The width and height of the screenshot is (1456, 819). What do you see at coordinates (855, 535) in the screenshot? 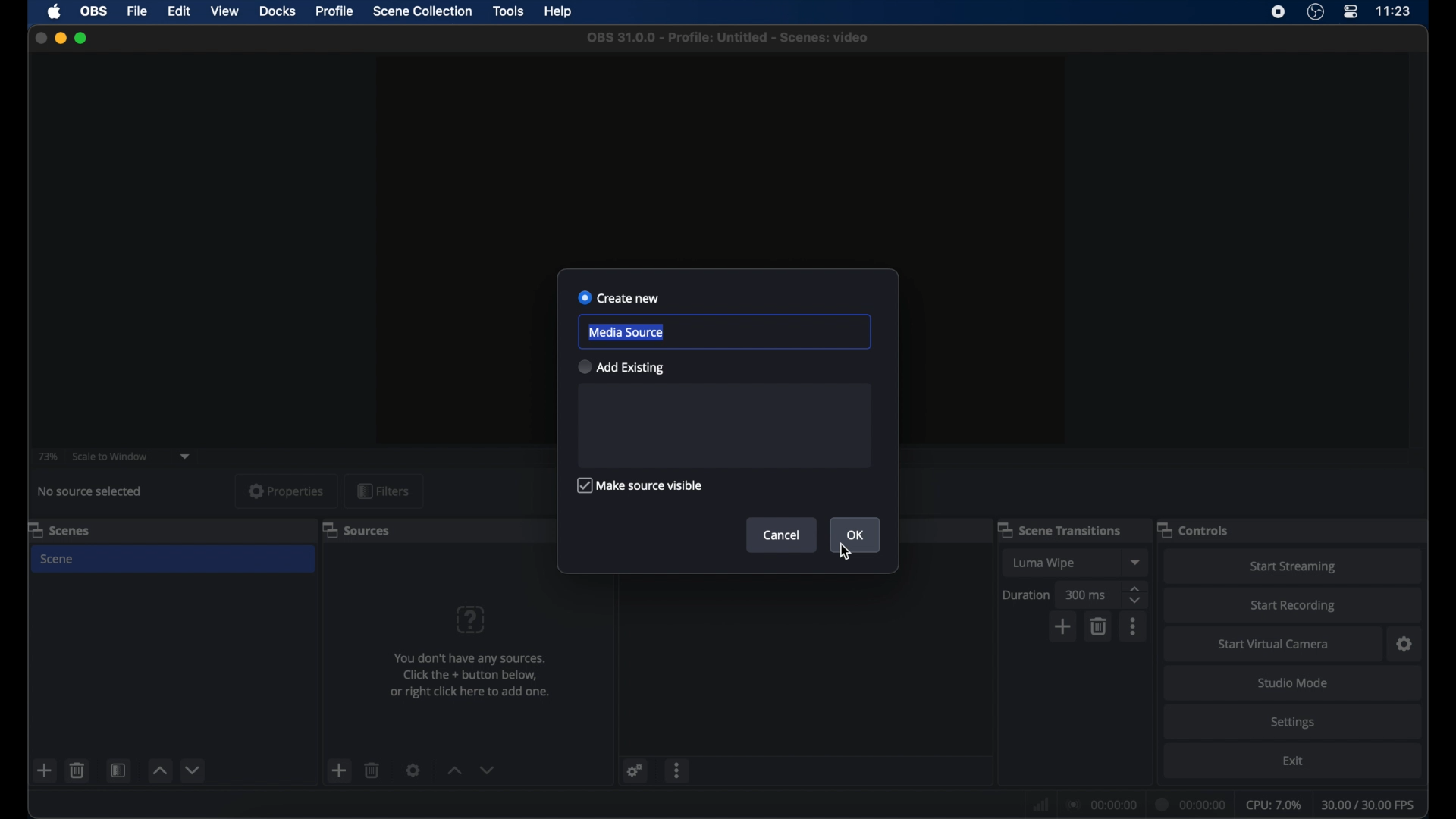
I see `ok ` at bounding box center [855, 535].